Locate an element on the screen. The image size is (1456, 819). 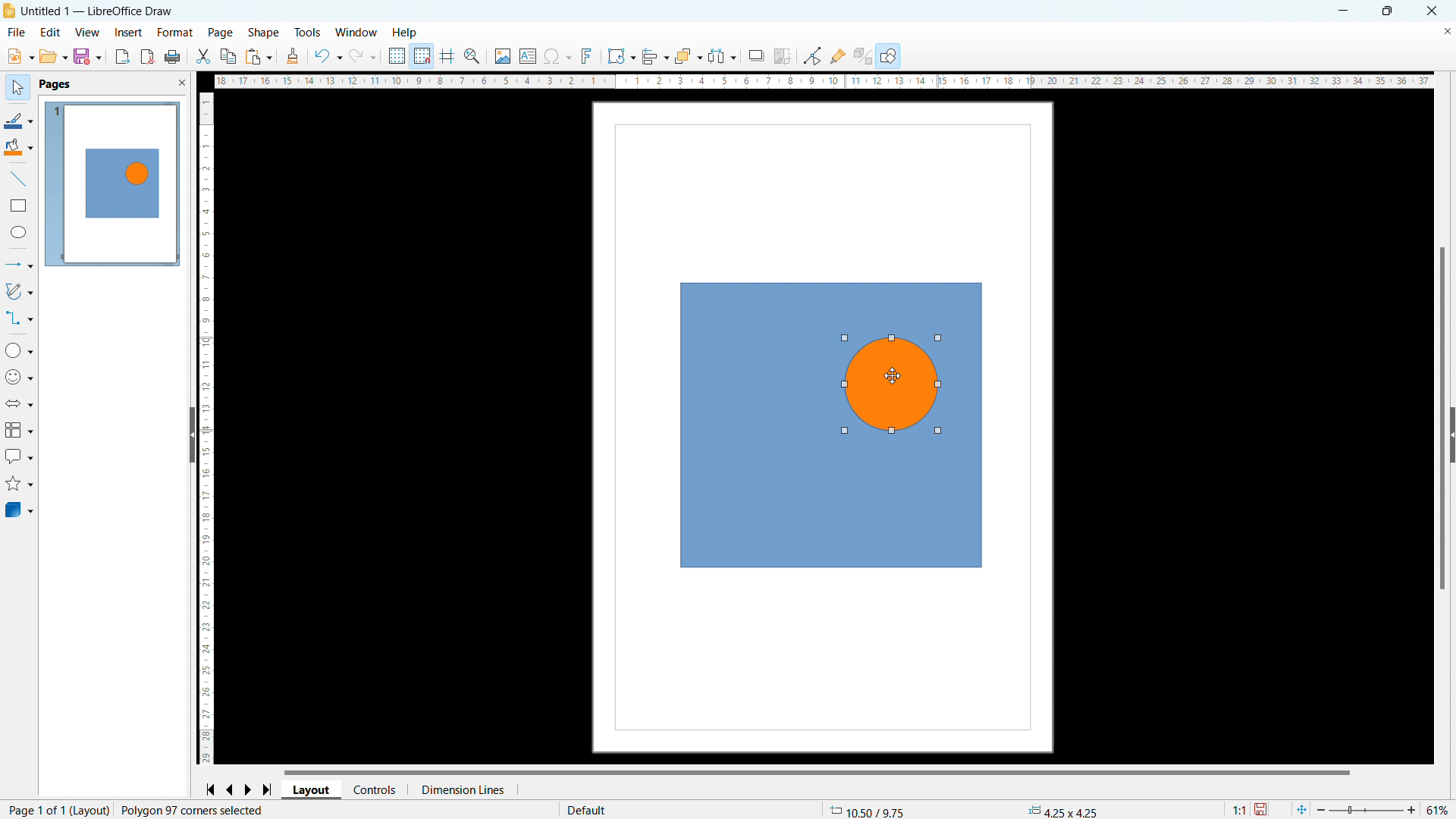
symbol shapes is located at coordinates (19, 378).